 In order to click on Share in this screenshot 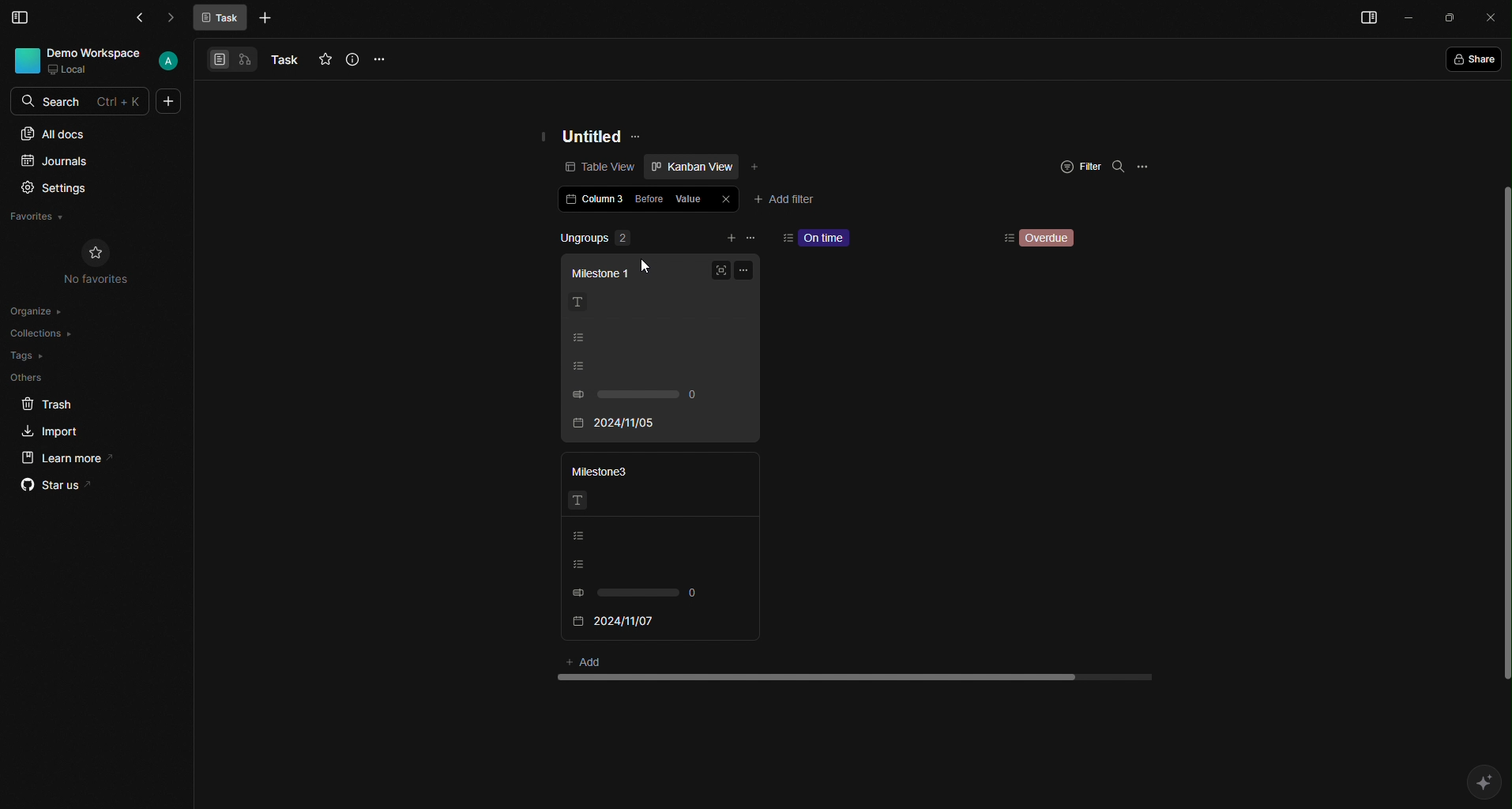, I will do `click(1475, 59)`.